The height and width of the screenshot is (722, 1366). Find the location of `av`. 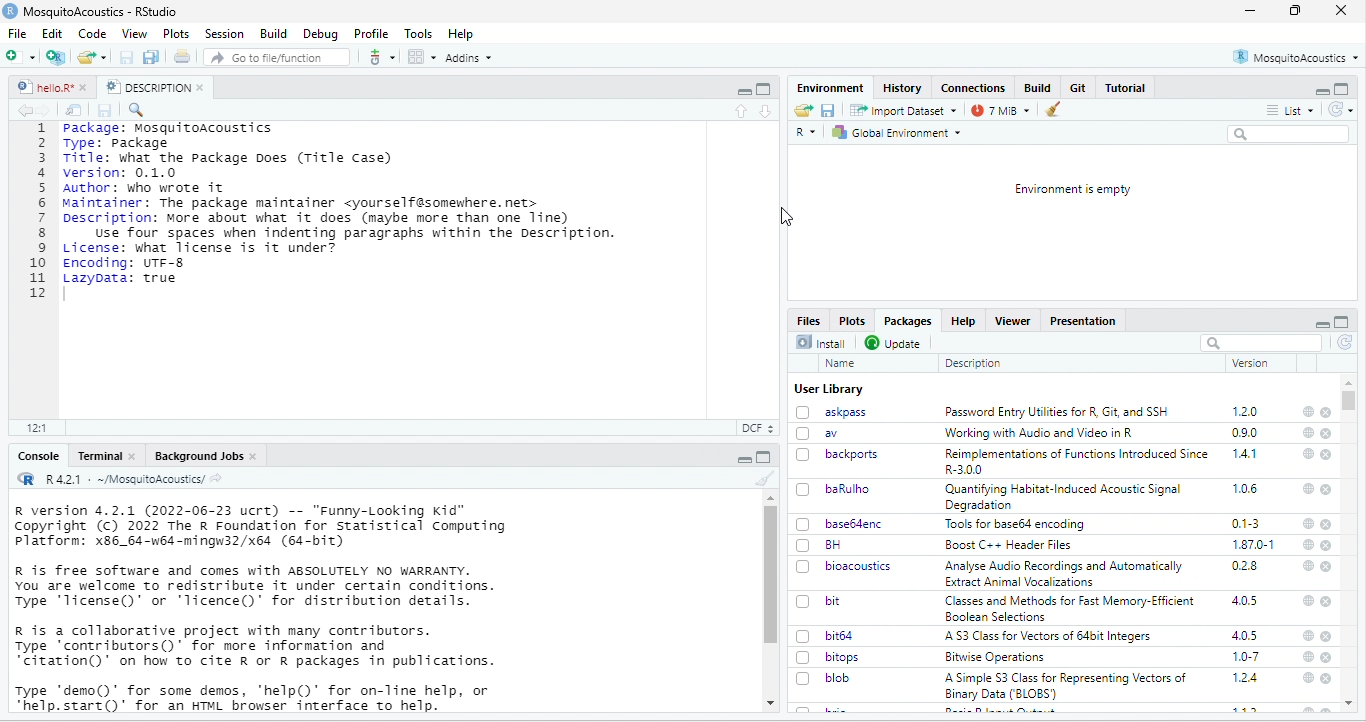

av is located at coordinates (824, 433).